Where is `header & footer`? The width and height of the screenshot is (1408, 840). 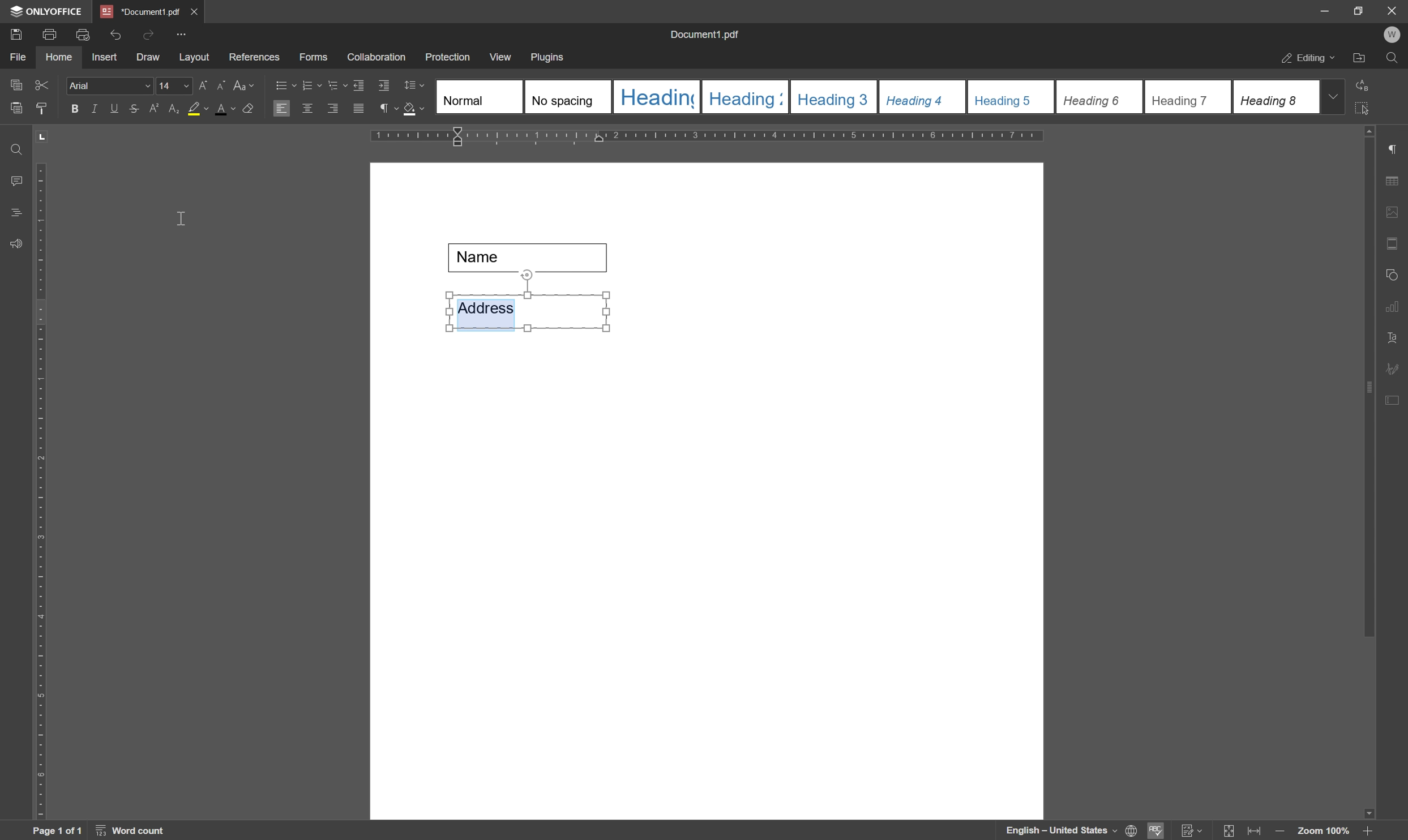 header & footer is located at coordinates (1394, 245).